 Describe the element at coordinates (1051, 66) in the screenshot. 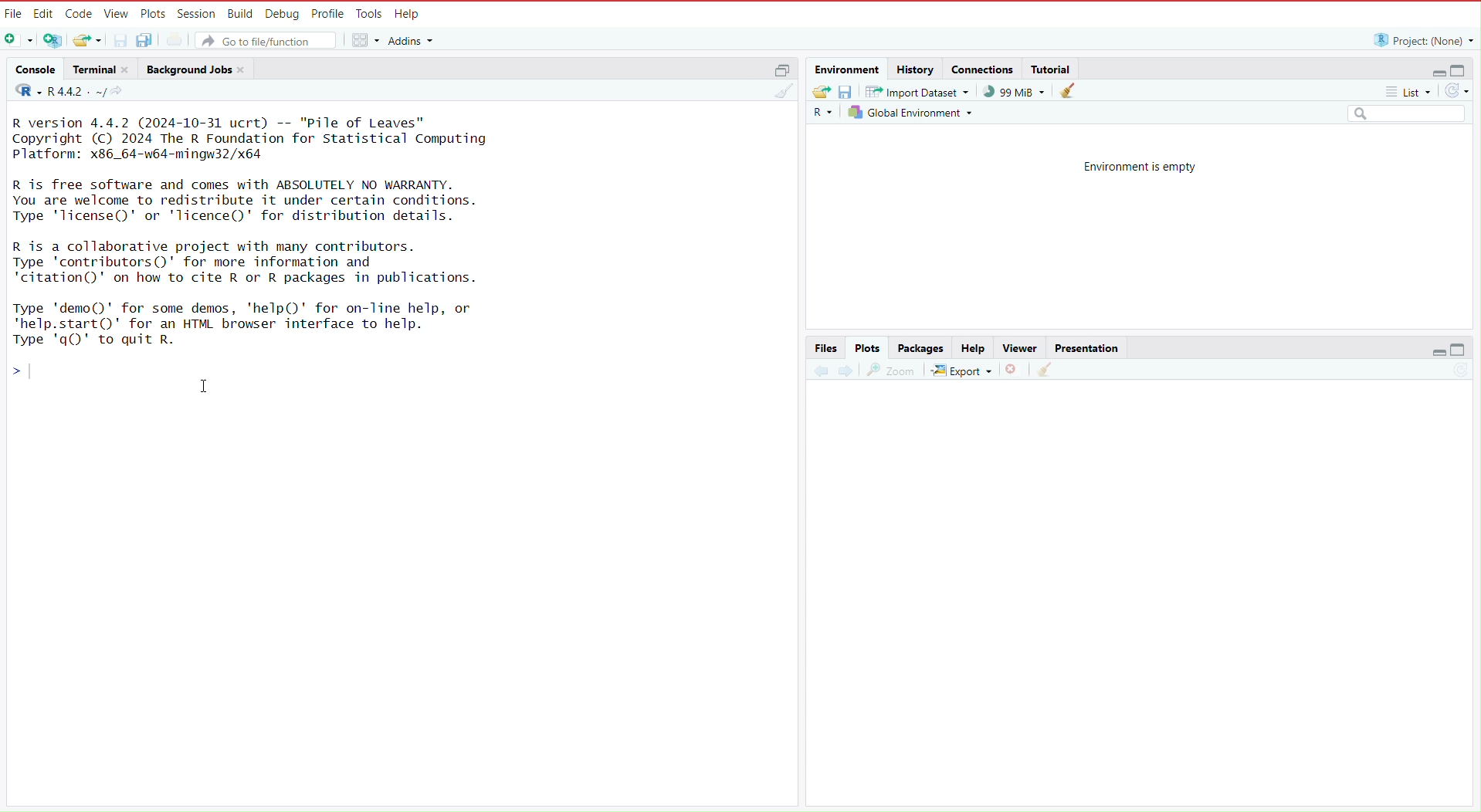

I see `tutorial` at that location.